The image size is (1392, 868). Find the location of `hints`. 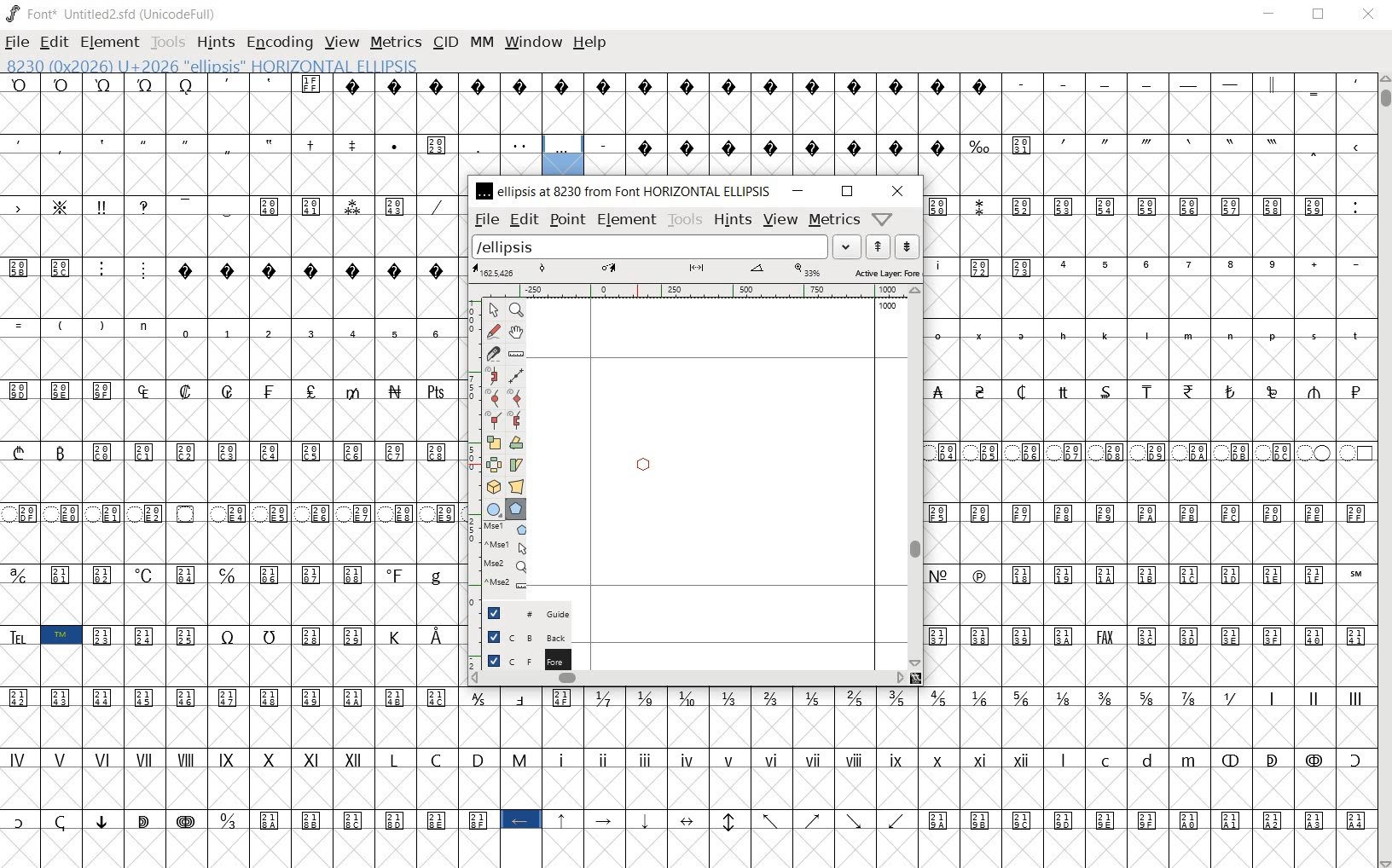

hints is located at coordinates (732, 219).